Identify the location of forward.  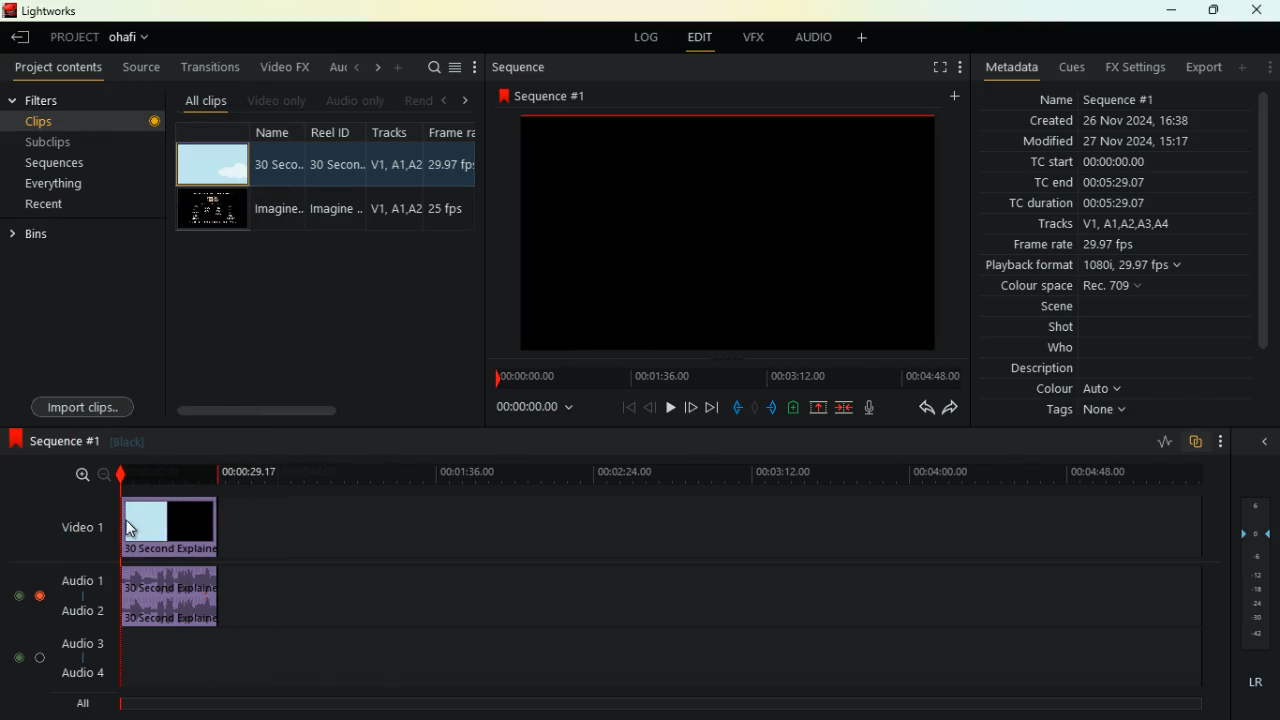
(713, 407).